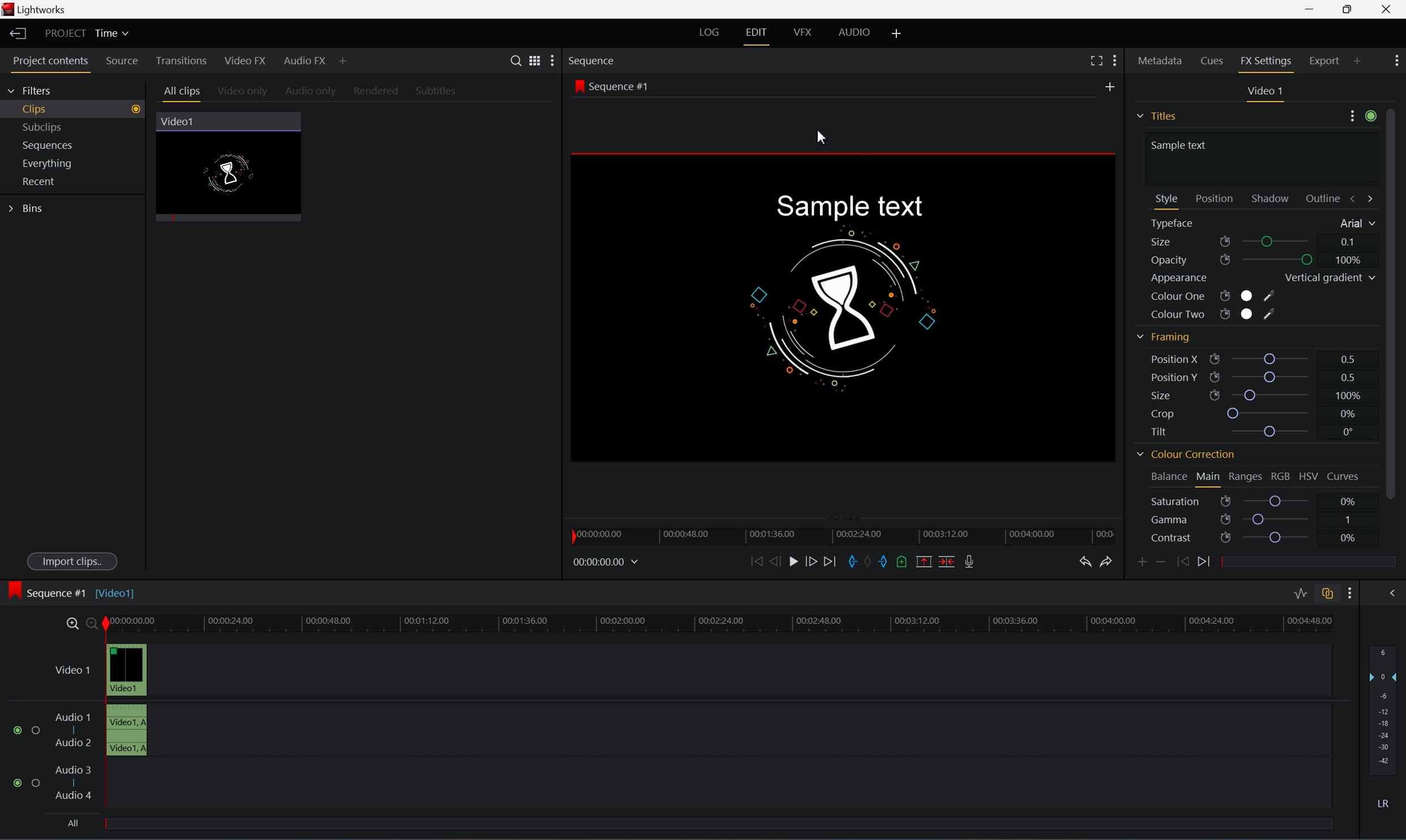 The height and width of the screenshot is (840, 1406). What do you see at coordinates (1349, 414) in the screenshot?
I see `0%` at bounding box center [1349, 414].